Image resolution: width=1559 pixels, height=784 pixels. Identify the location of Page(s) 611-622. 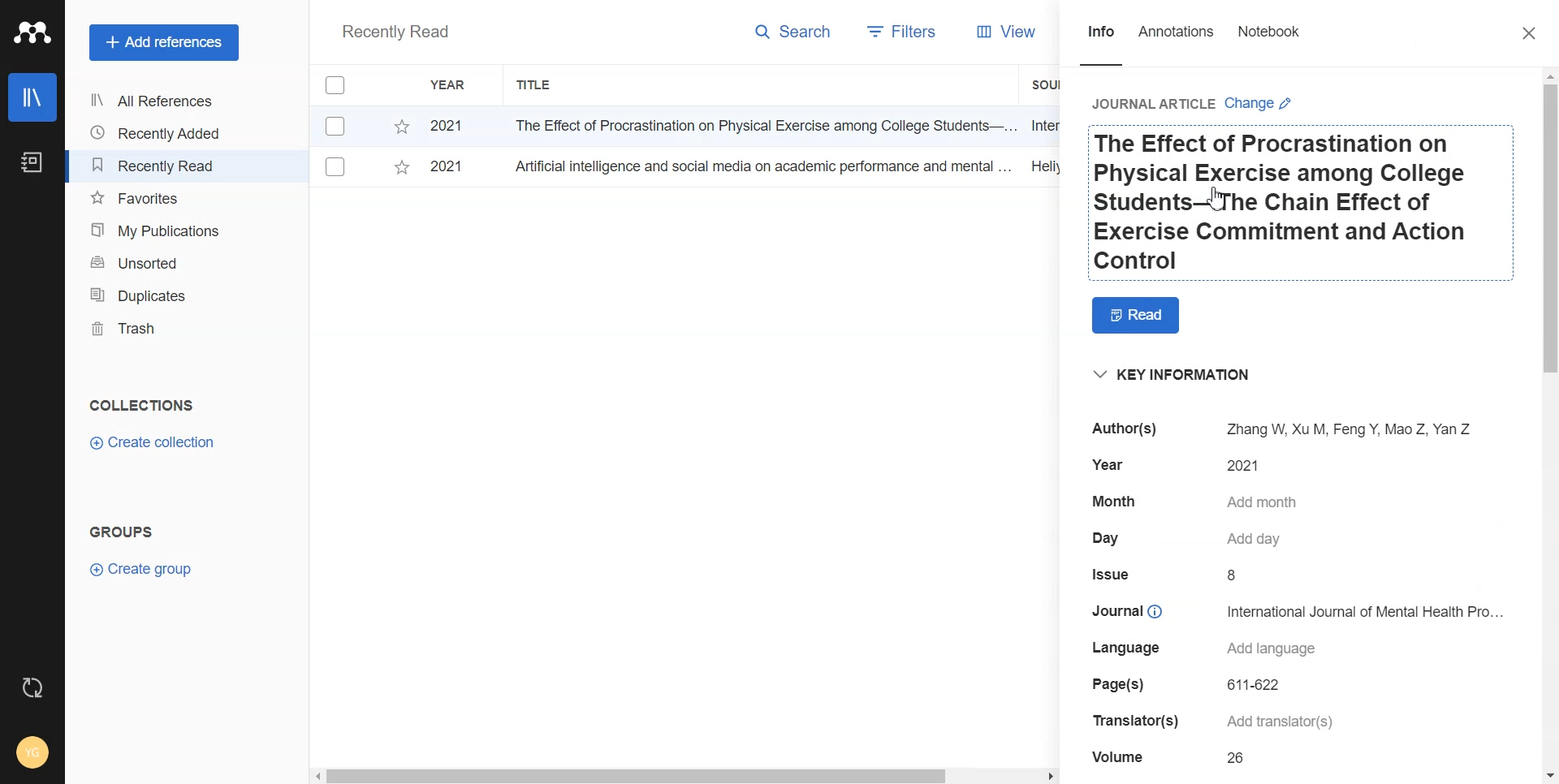
(1185, 687).